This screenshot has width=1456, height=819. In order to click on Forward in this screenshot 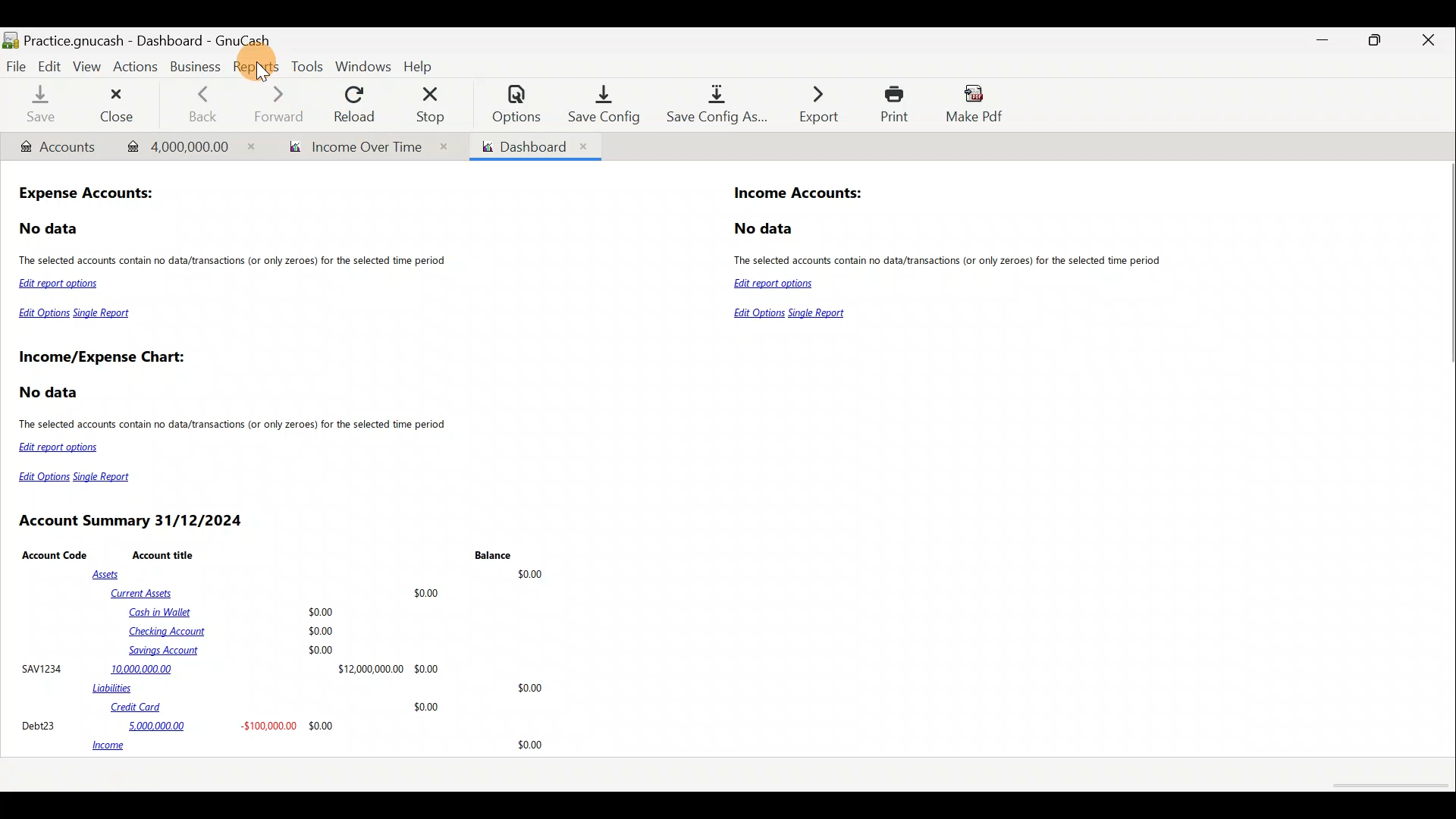, I will do `click(284, 104)`.